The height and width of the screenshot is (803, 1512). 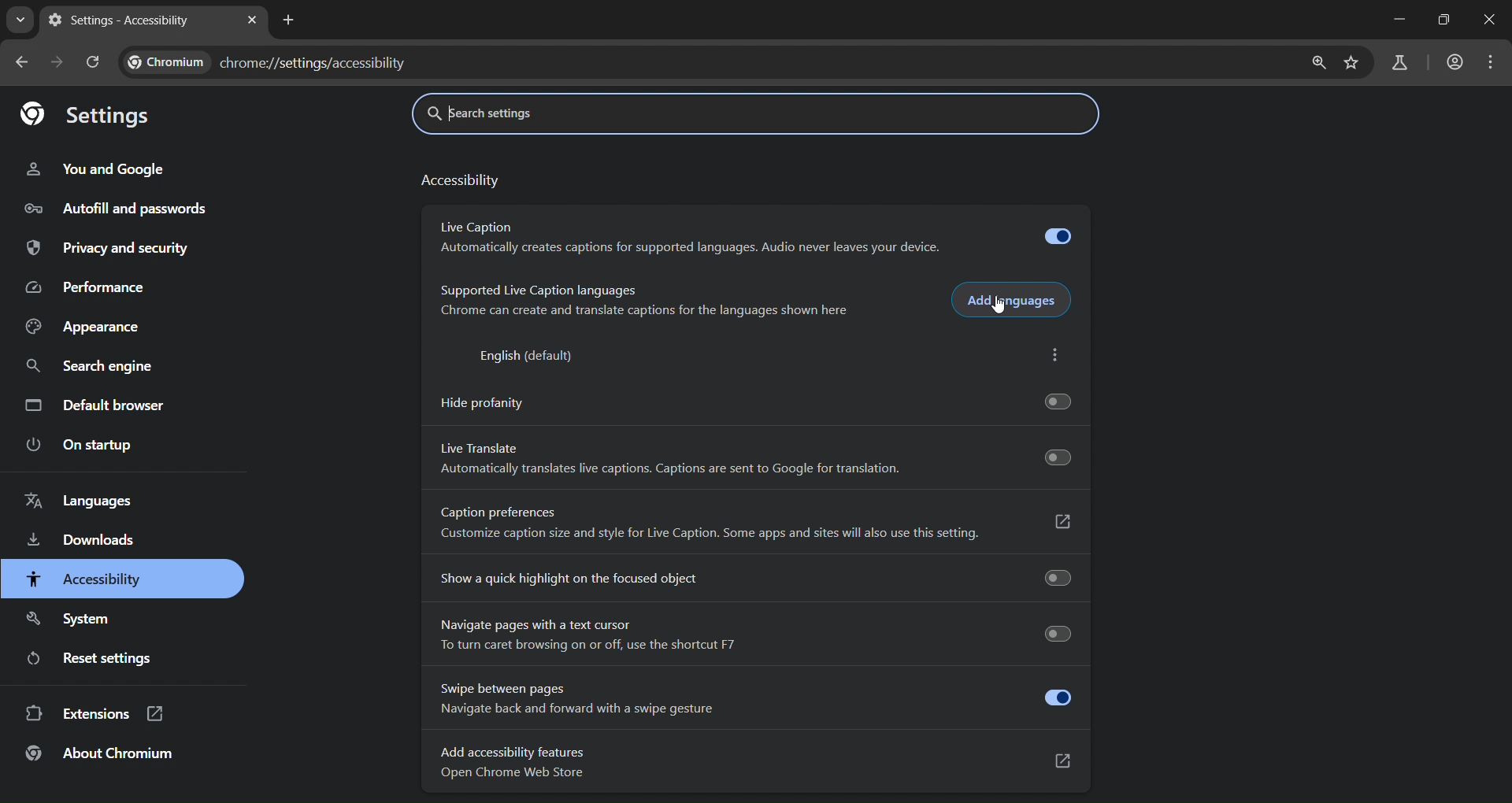 I want to click on bookmark page, so click(x=1355, y=62).